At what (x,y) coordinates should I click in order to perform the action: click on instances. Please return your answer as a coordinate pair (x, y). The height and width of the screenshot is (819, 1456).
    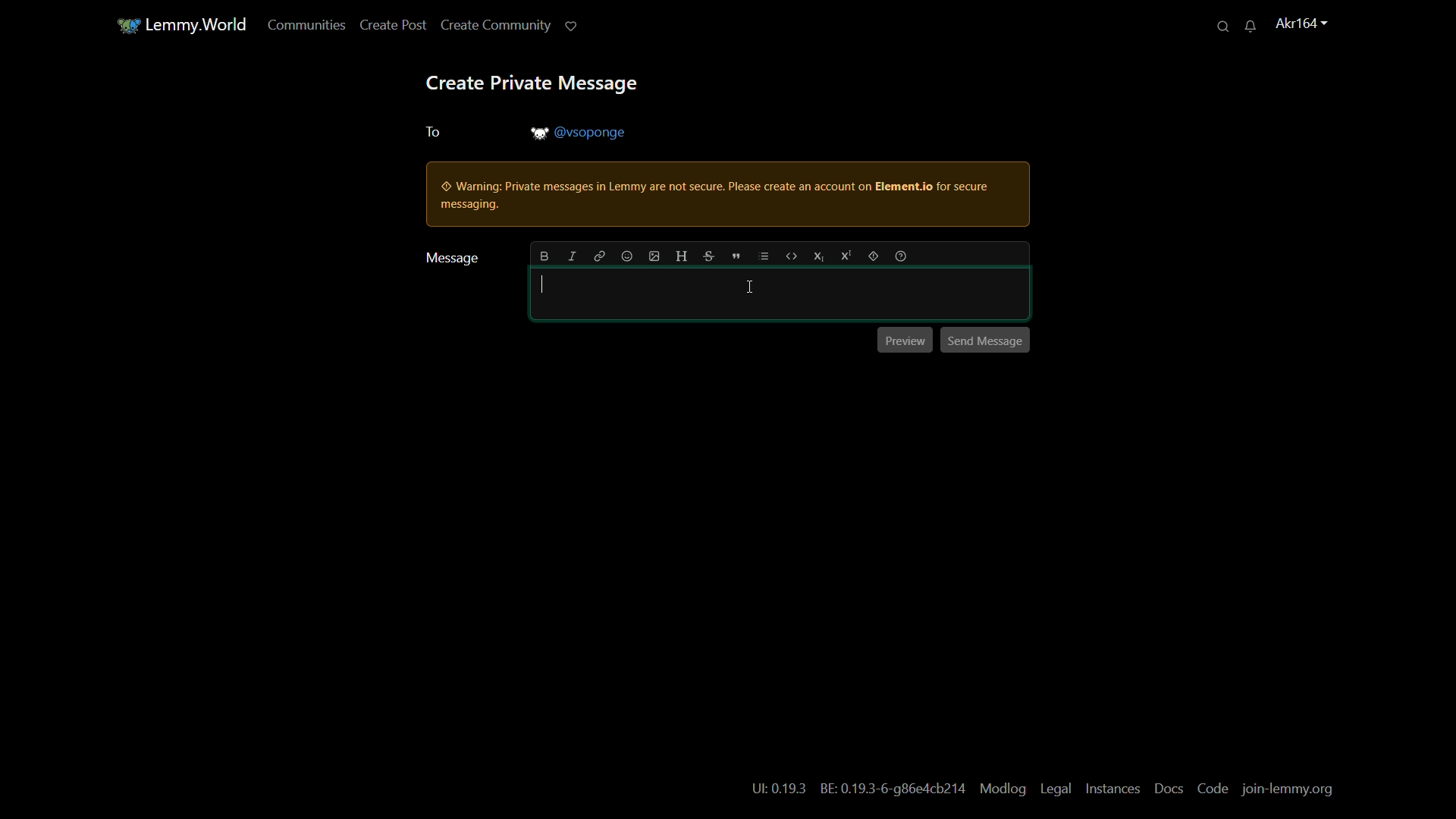
    Looking at the image, I should click on (1112, 789).